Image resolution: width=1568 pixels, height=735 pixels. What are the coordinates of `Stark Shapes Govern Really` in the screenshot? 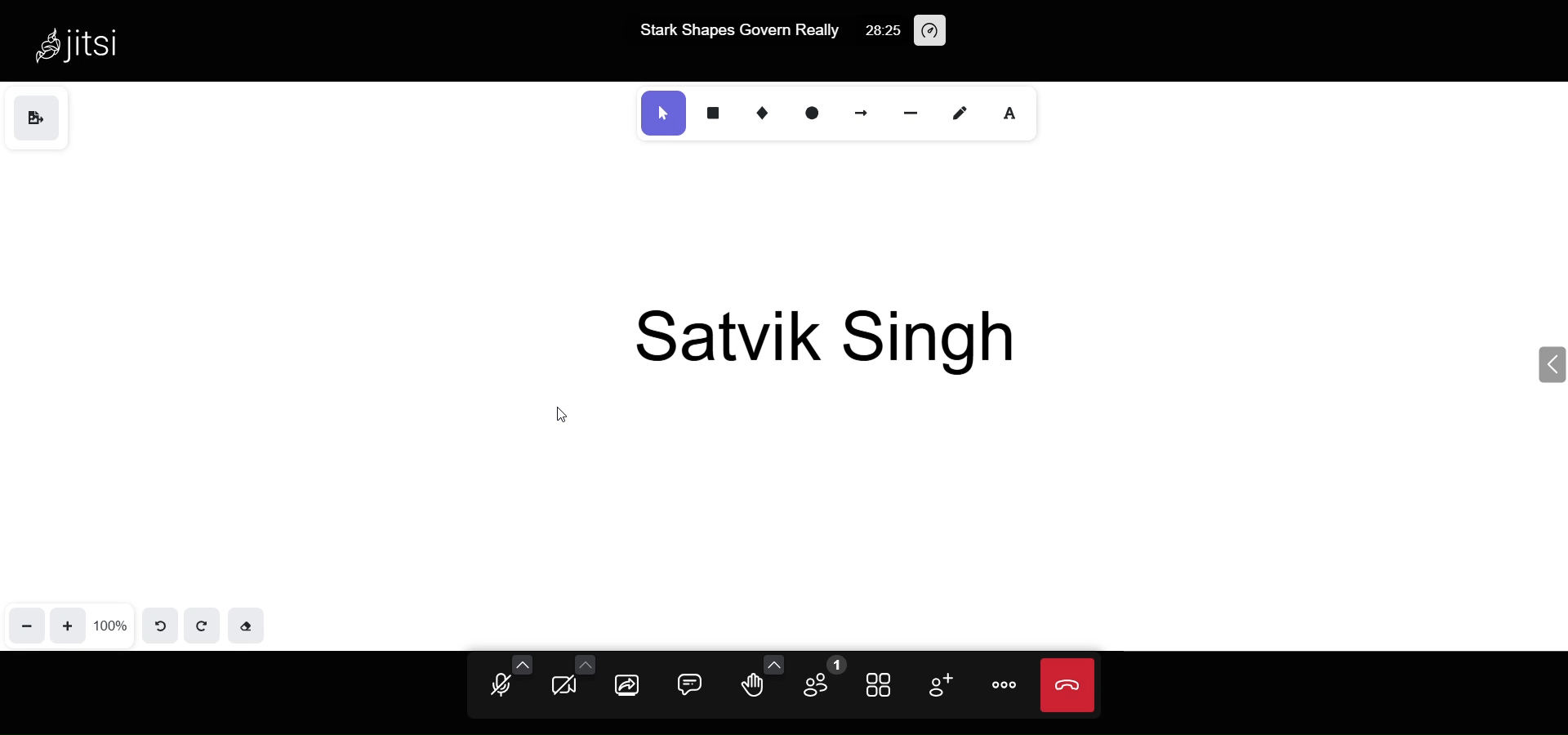 It's located at (737, 31).